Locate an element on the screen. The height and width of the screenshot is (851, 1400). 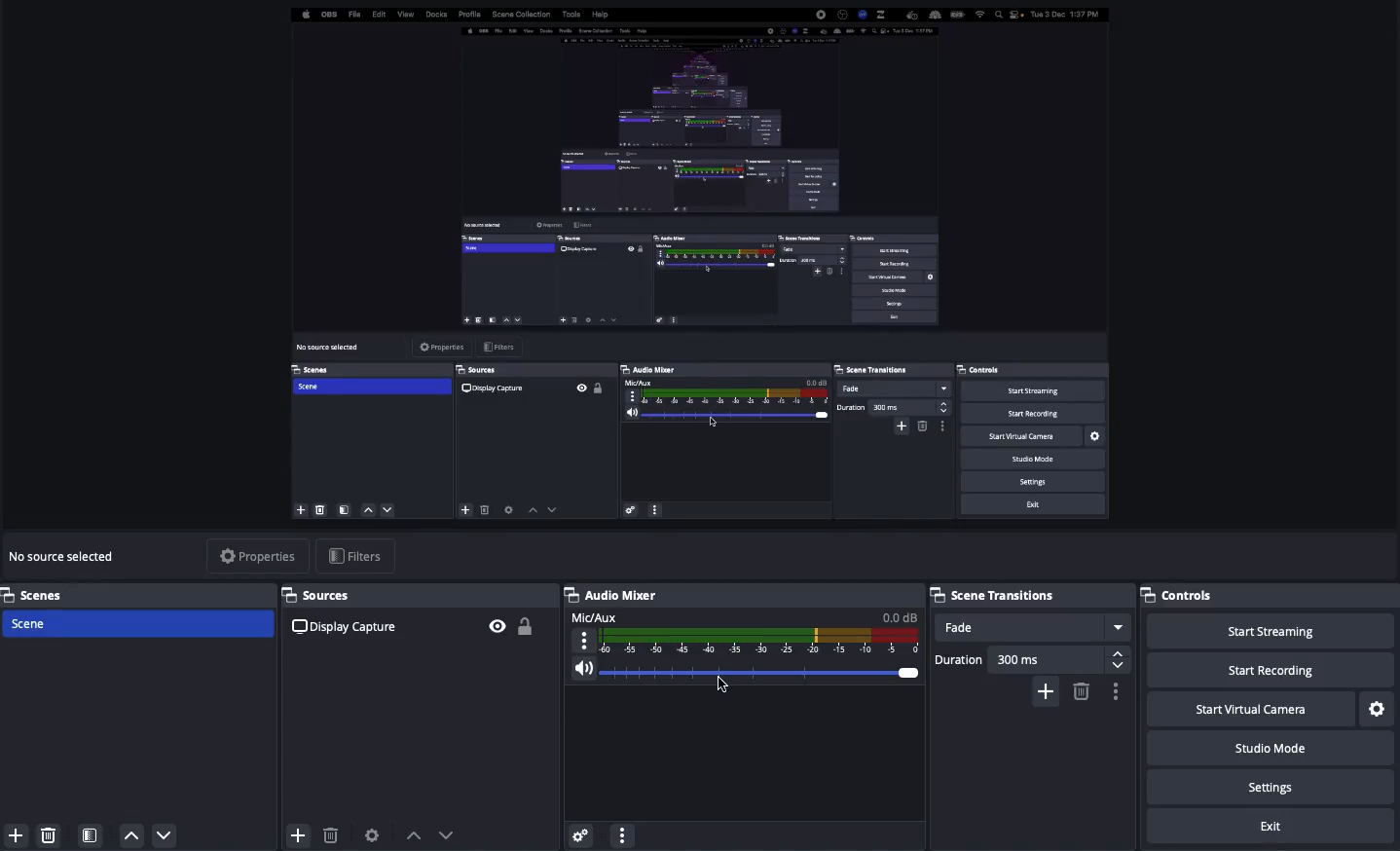
Delete is located at coordinates (330, 835).